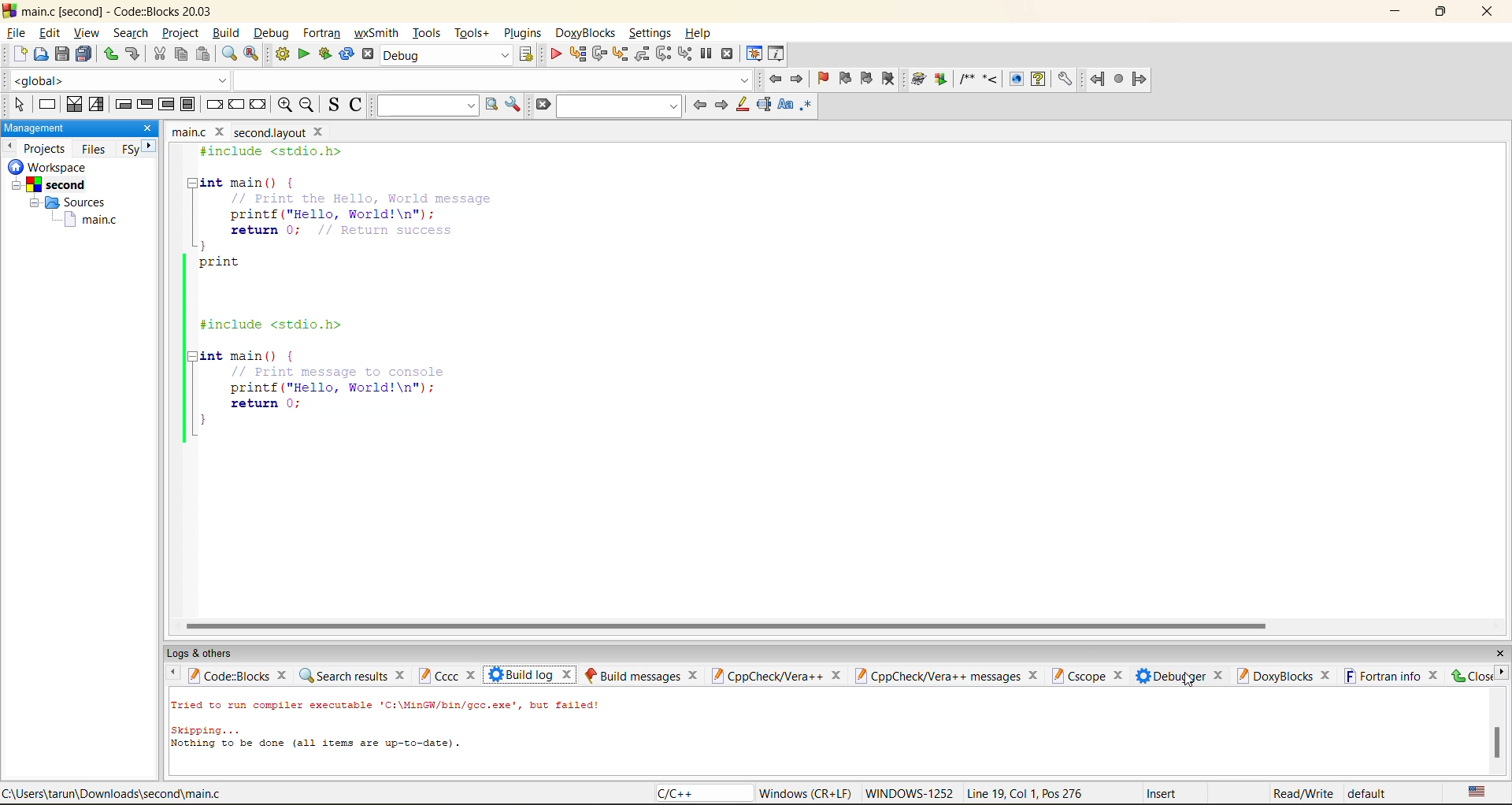  Describe the element at coordinates (618, 54) in the screenshot. I see `step into` at that location.